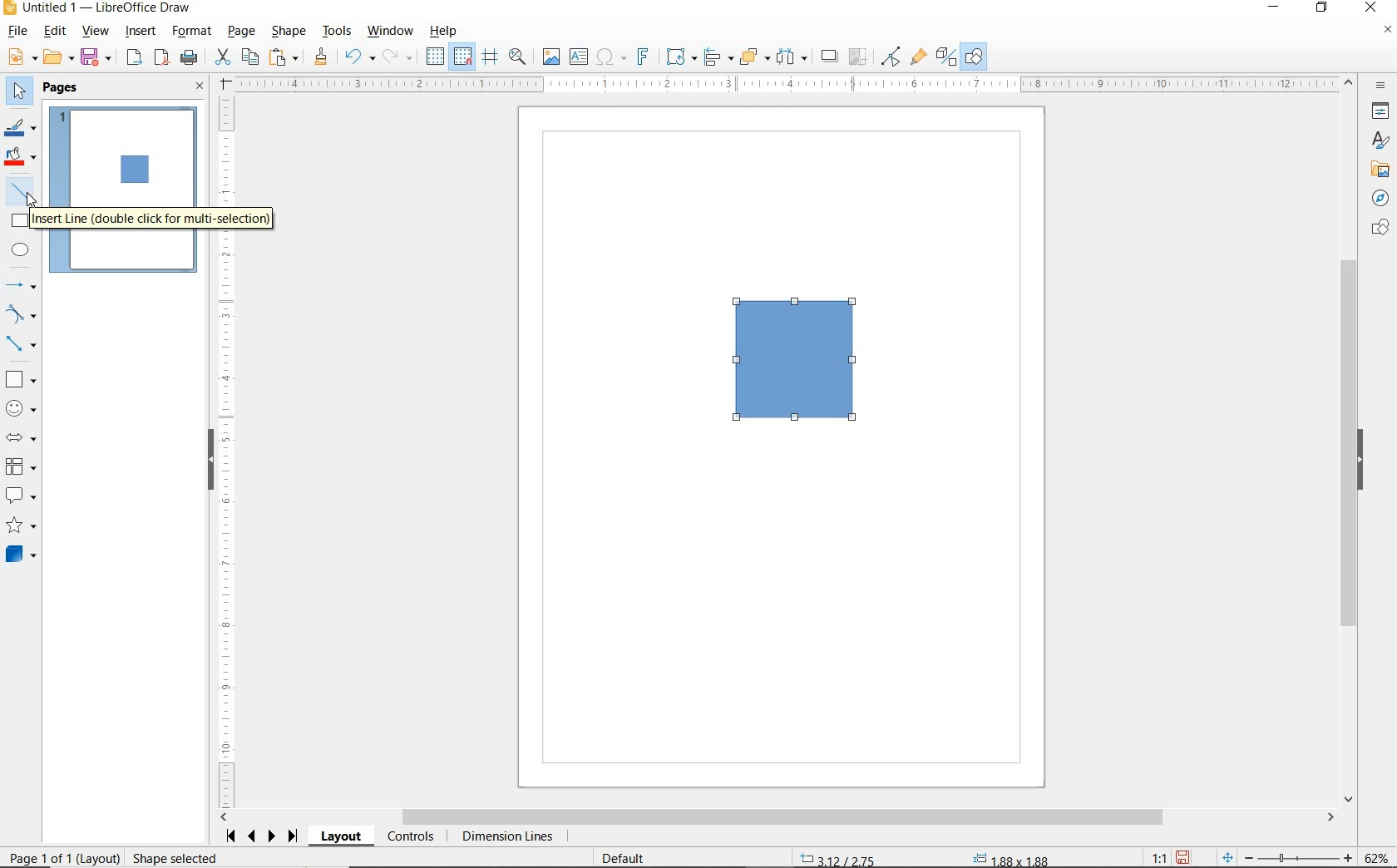 The height and width of the screenshot is (868, 1397). I want to click on SCROLLBAR, so click(1351, 440).